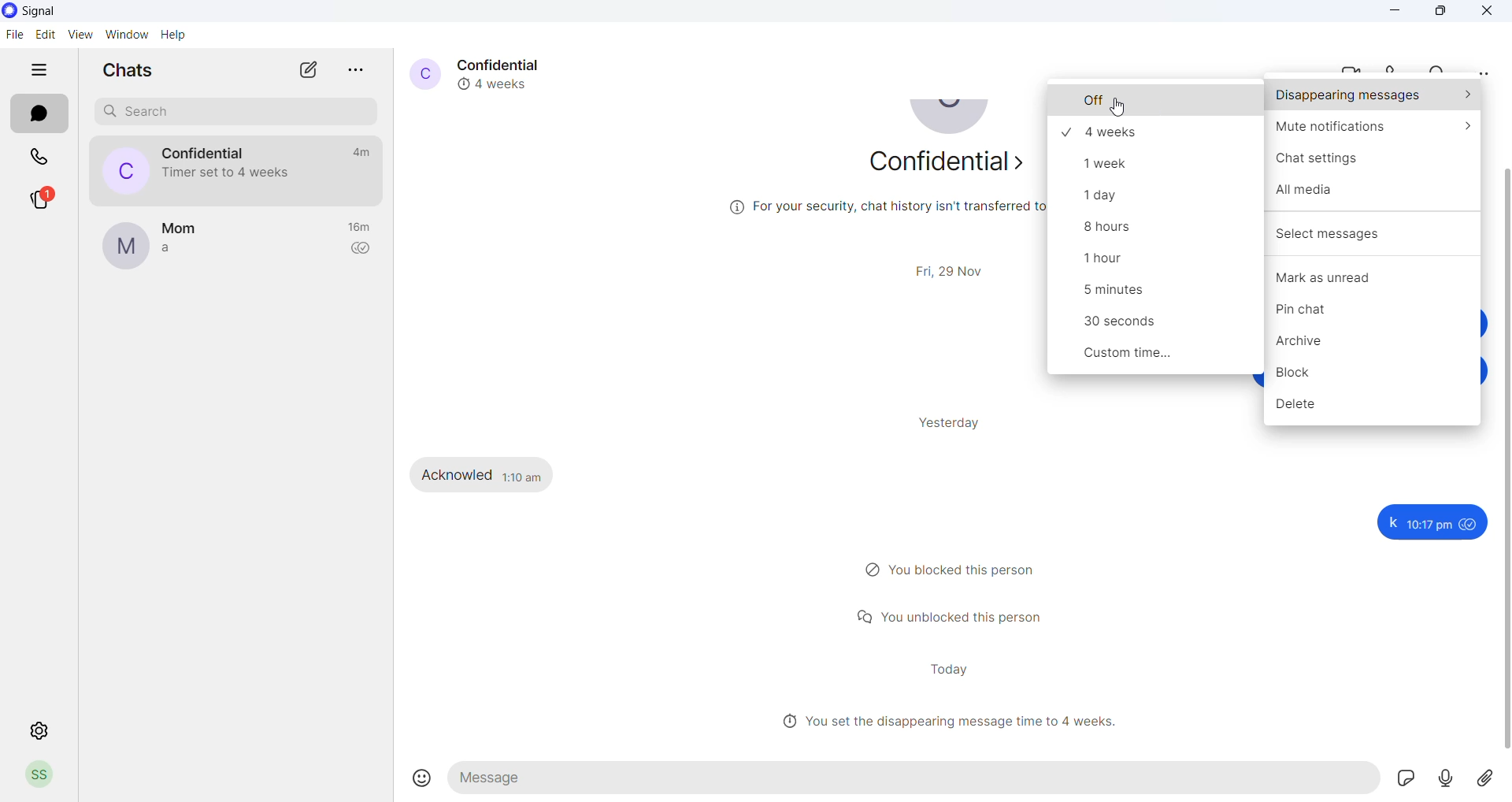  I want to click on archive, so click(1377, 345).